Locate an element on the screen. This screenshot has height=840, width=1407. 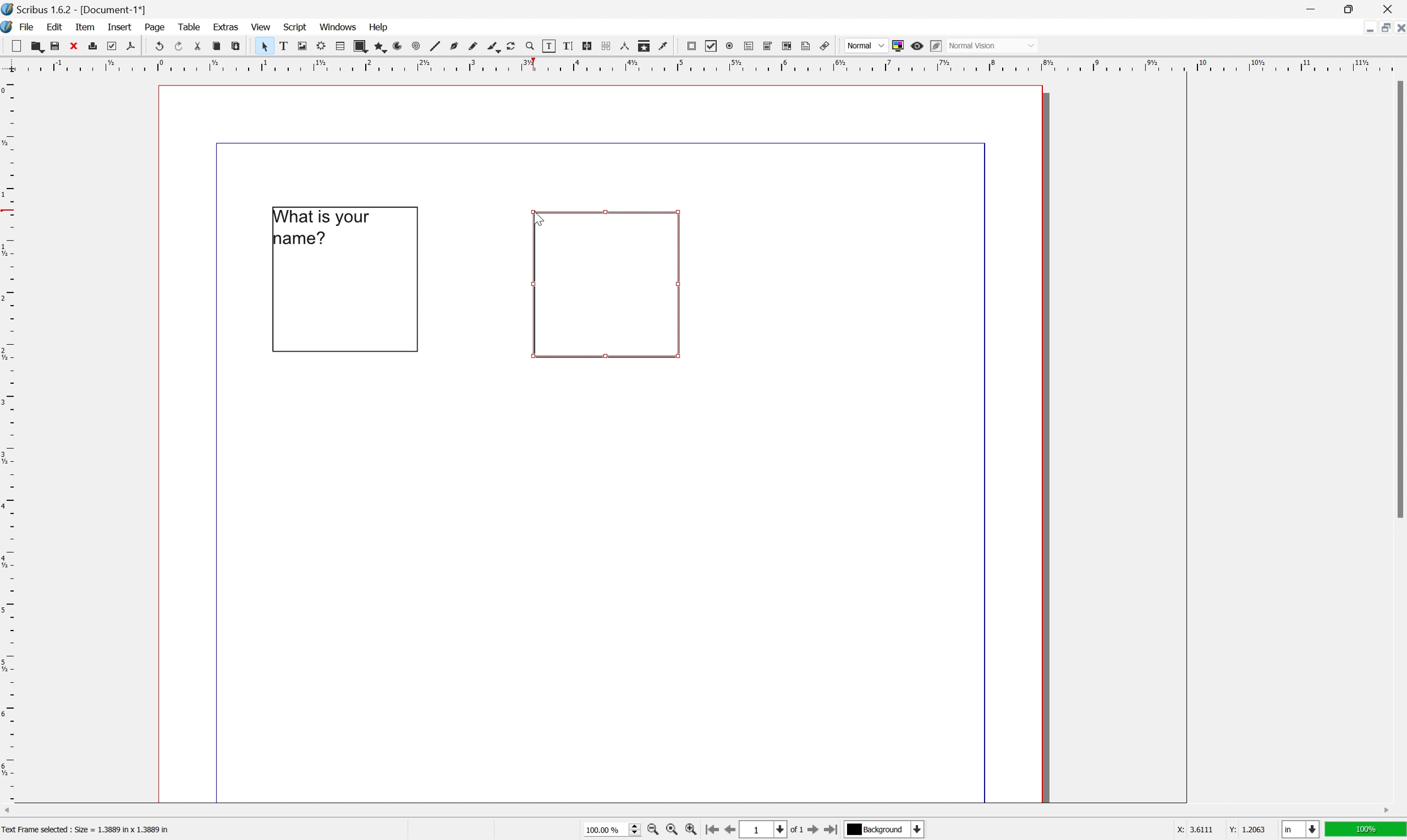
script is located at coordinates (296, 26).